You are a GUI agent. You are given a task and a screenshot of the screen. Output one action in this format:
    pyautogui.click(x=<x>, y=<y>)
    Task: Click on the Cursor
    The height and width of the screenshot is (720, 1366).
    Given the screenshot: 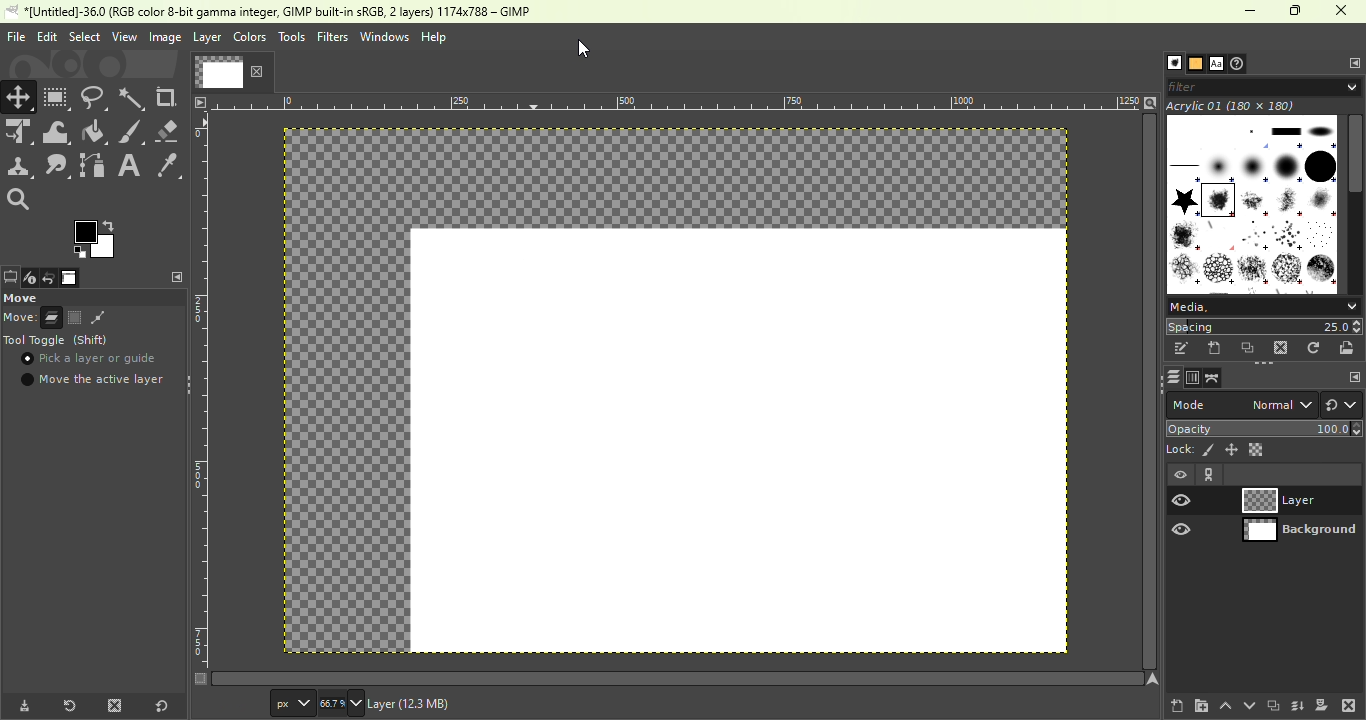 What is the action you would take?
    pyautogui.click(x=584, y=49)
    